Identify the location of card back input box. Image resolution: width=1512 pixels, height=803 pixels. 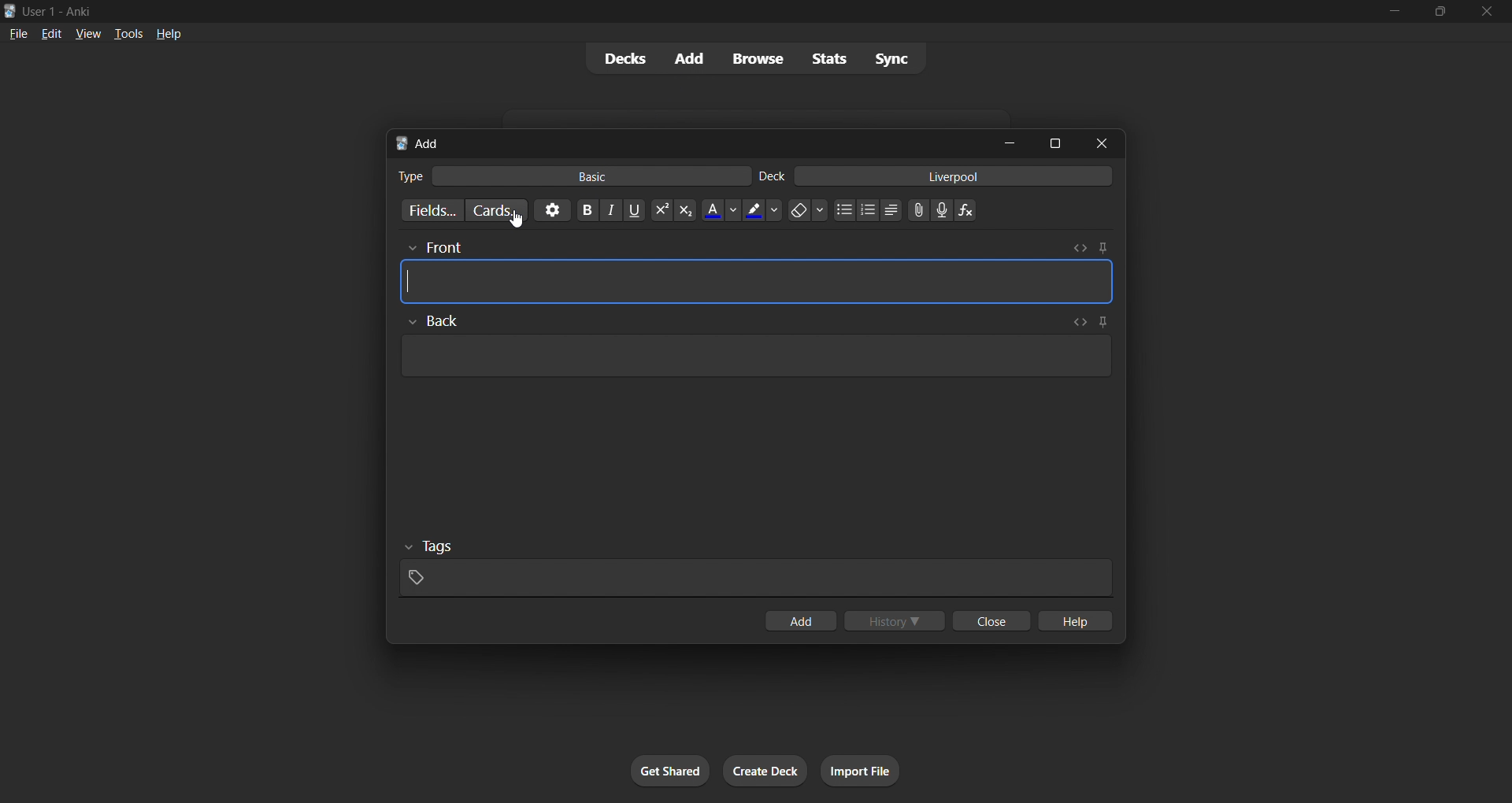
(757, 349).